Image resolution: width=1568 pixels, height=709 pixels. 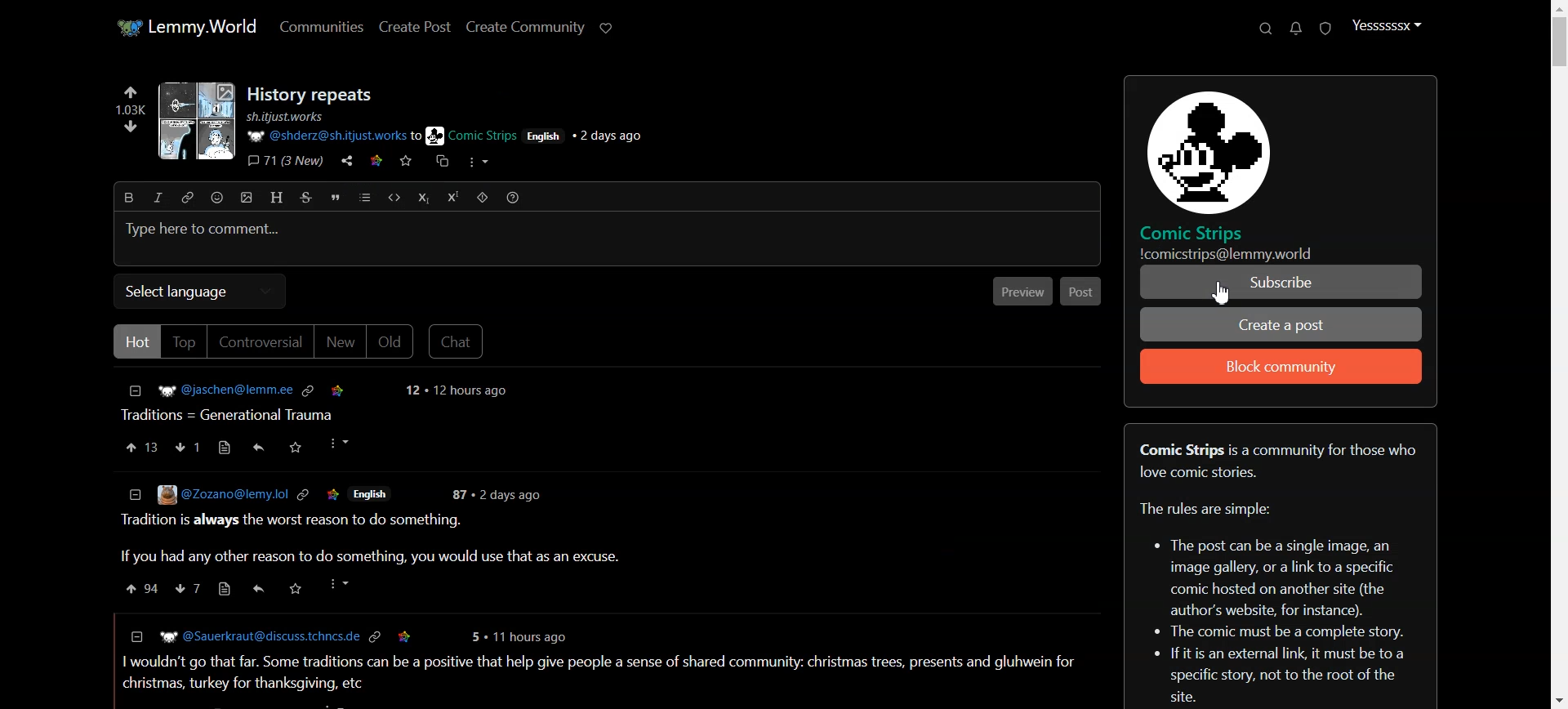 I want to click on Imge, so click(x=193, y=123).